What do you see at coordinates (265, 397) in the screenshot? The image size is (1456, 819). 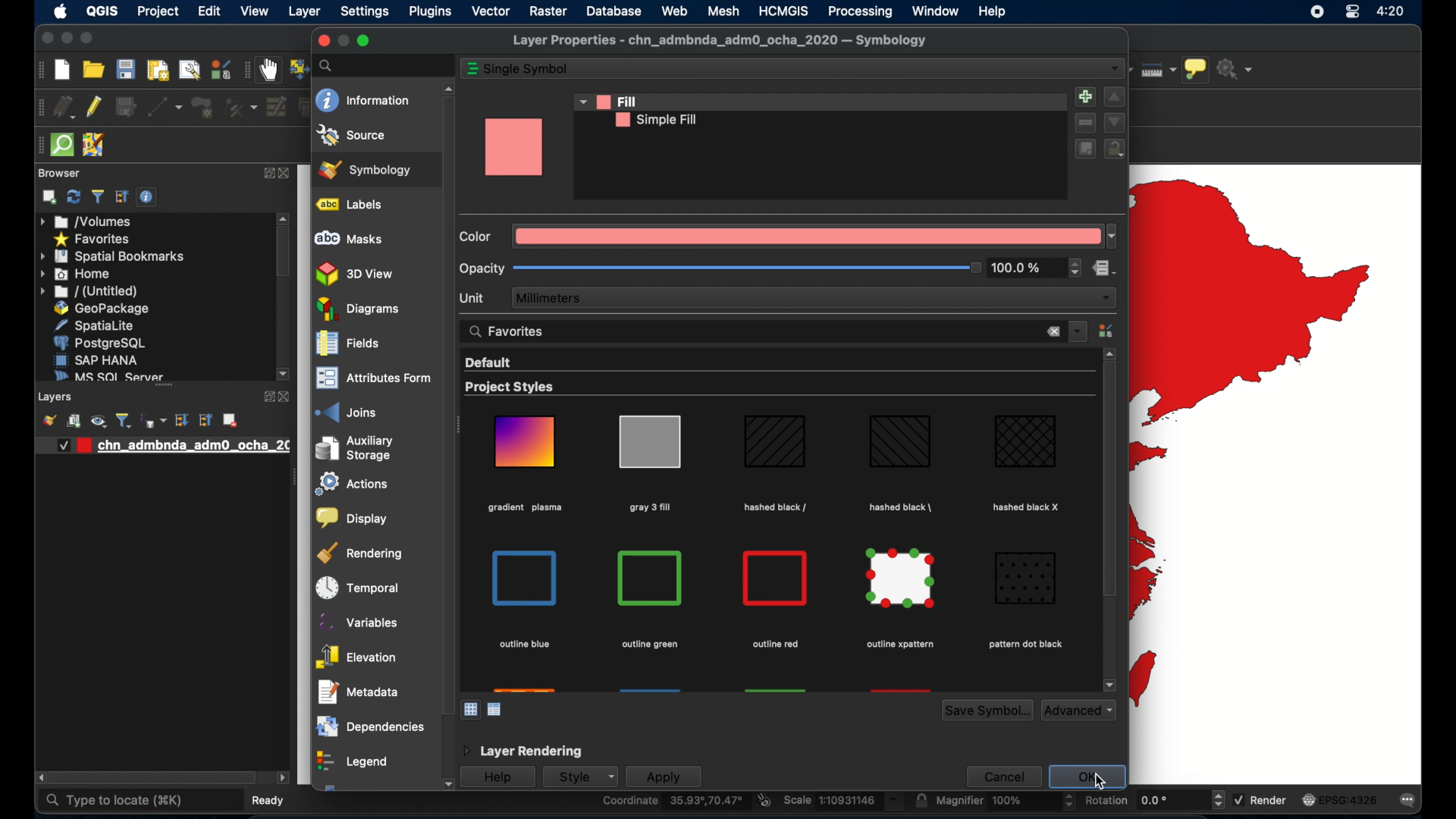 I see `expand` at bounding box center [265, 397].